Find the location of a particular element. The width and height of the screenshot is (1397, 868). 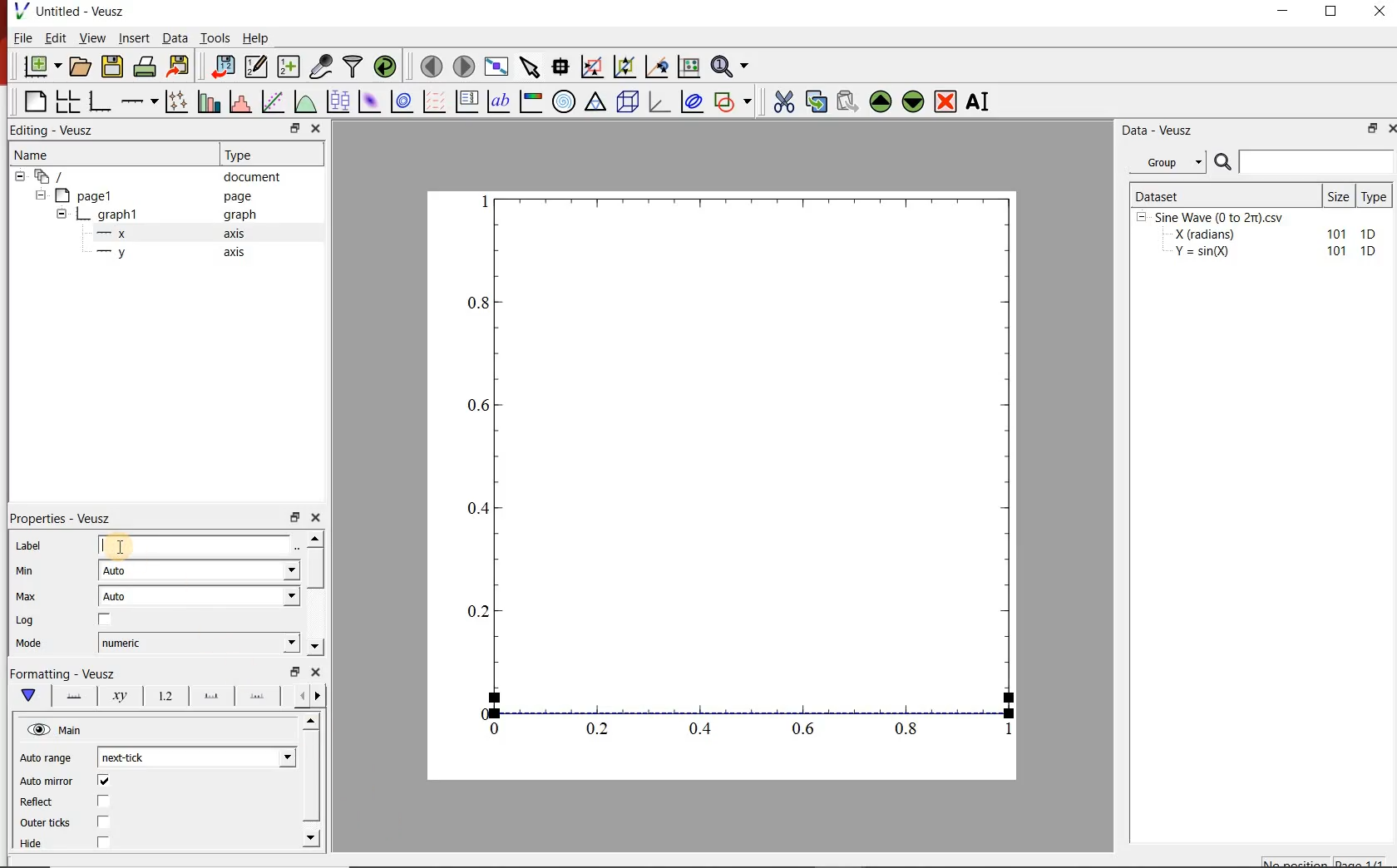

Mode is located at coordinates (29, 644).